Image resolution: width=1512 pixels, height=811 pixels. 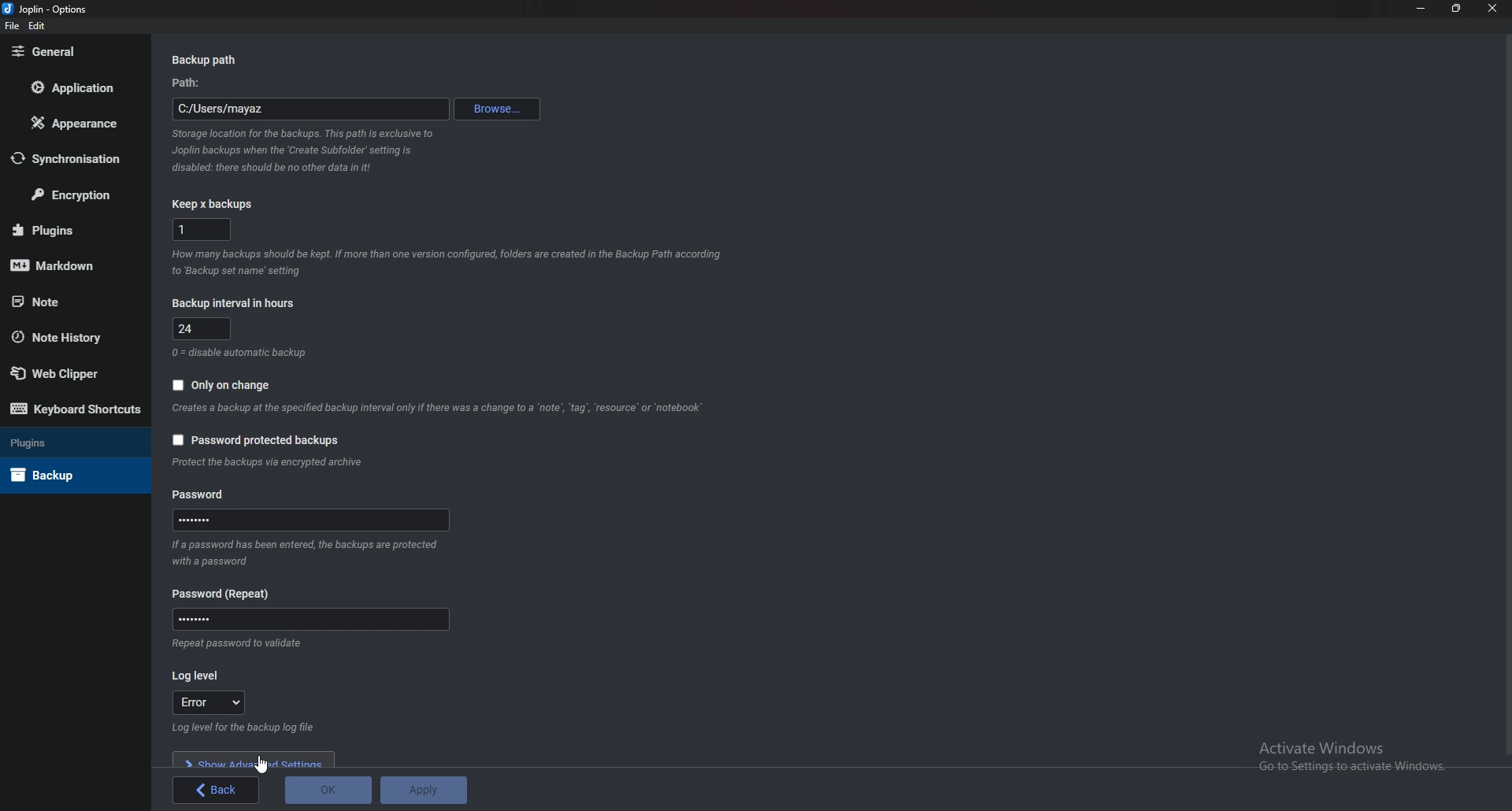 I want to click on Browse, so click(x=501, y=107).